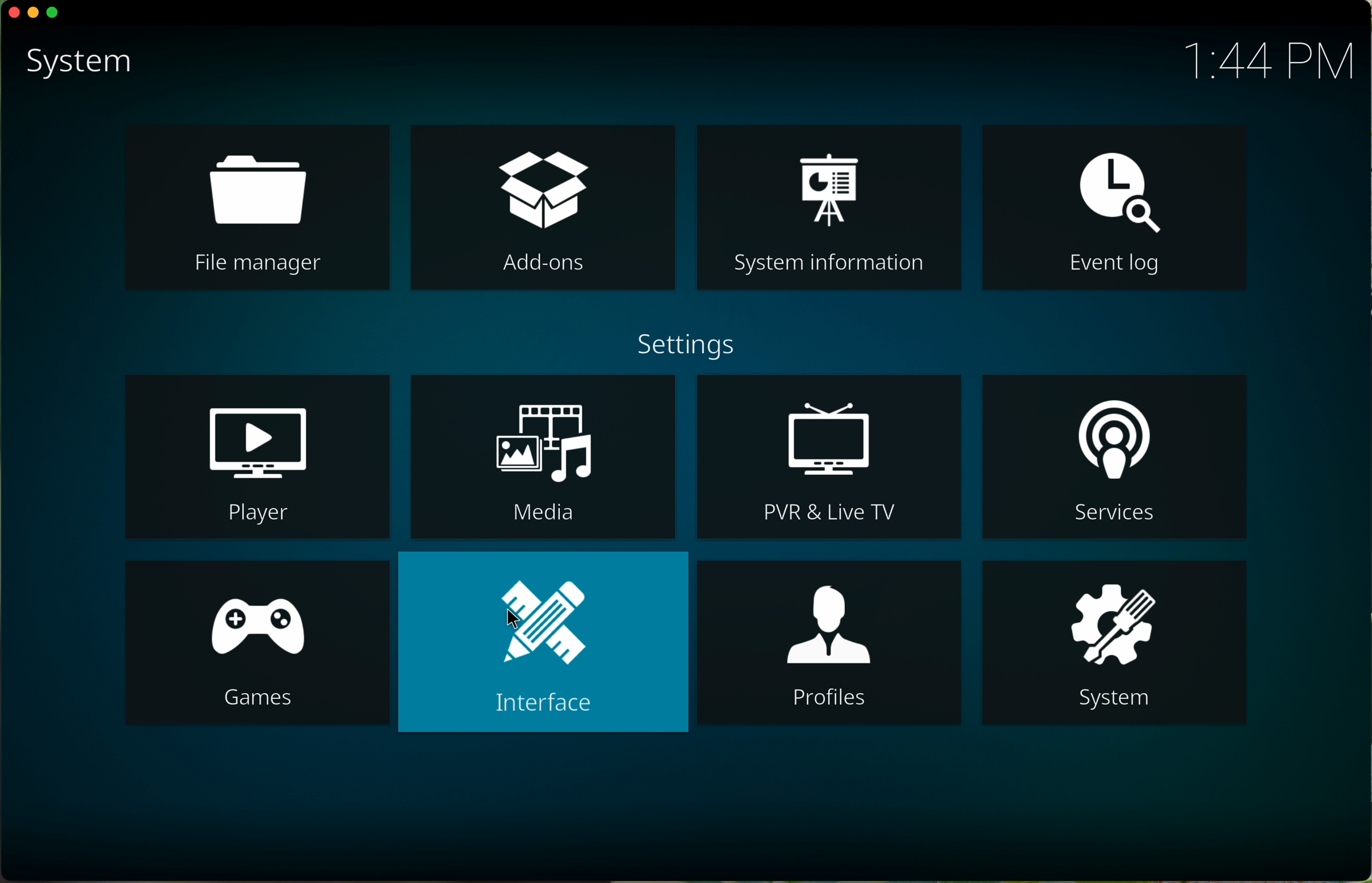  What do you see at coordinates (830, 455) in the screenshot?
I see `PVR & Live TV` at bounding box center [830, 455].